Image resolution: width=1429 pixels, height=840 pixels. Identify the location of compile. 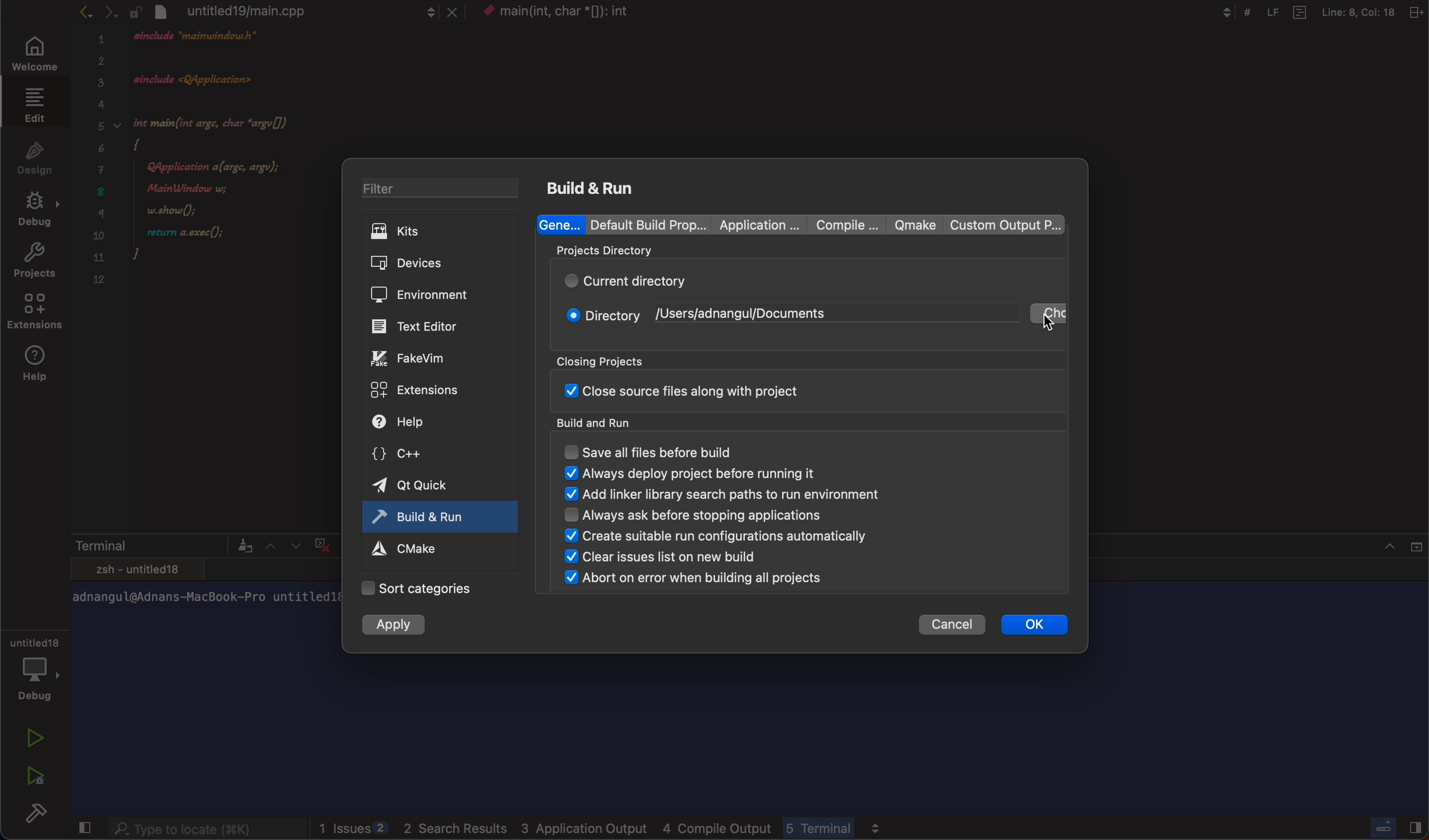
(844, 224).